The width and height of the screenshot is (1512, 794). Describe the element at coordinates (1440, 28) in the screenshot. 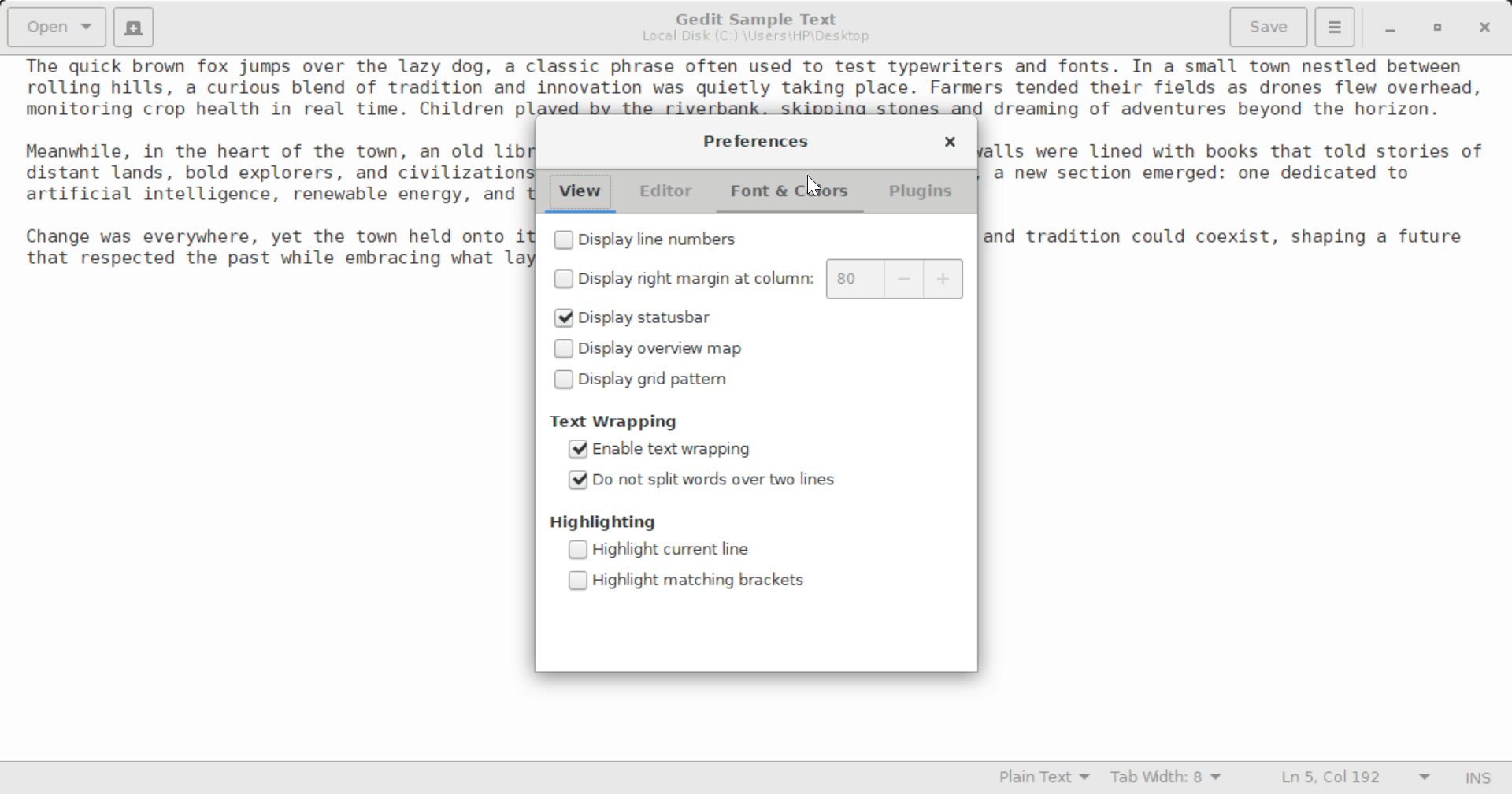

I see `Minimize` at that location.